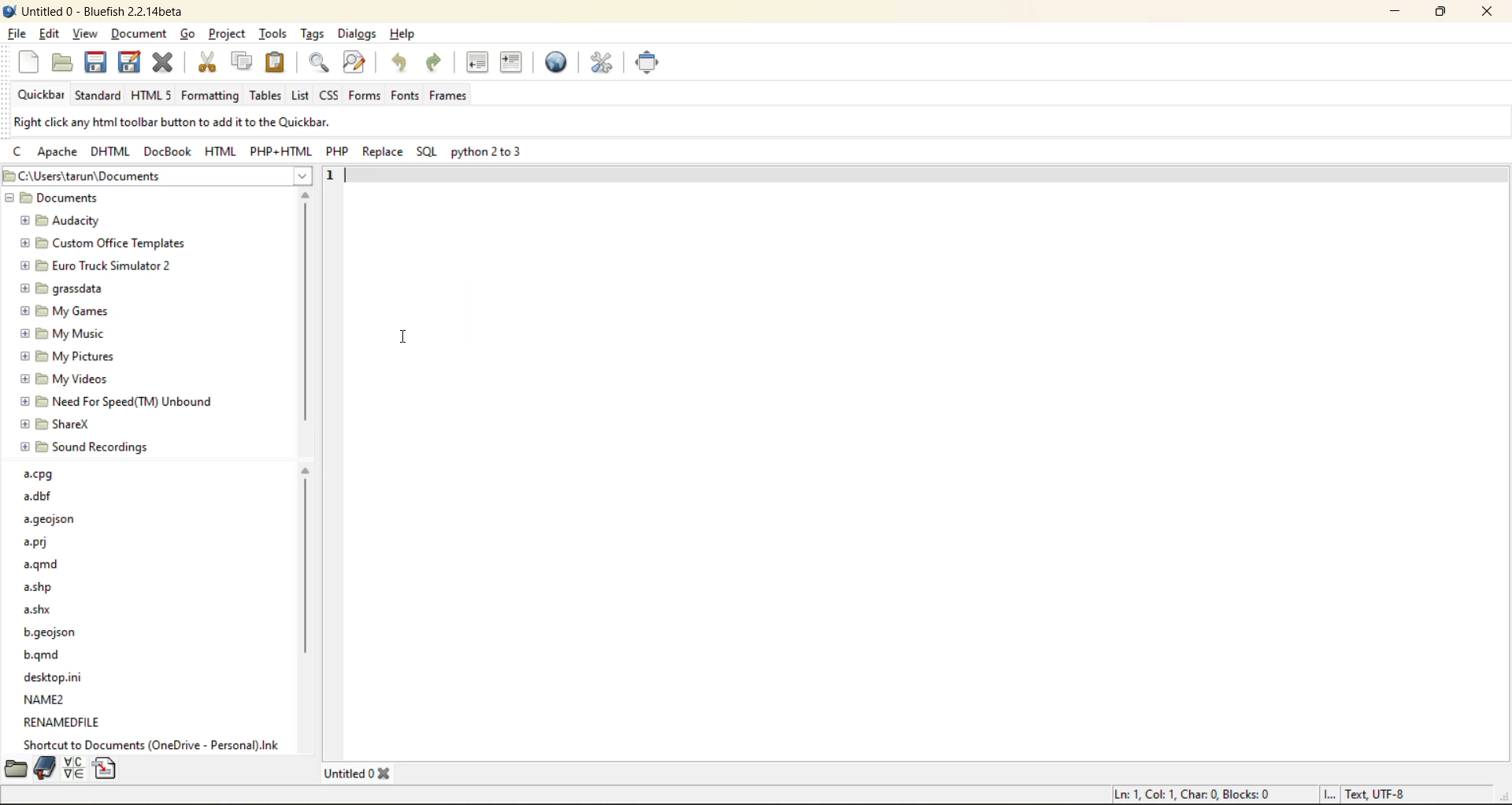 This screenshot has height=805, width=1512. What do you see at coordinates (164, 63) in the screenshot?
I see `close current file` at bounding box center [164, 63].